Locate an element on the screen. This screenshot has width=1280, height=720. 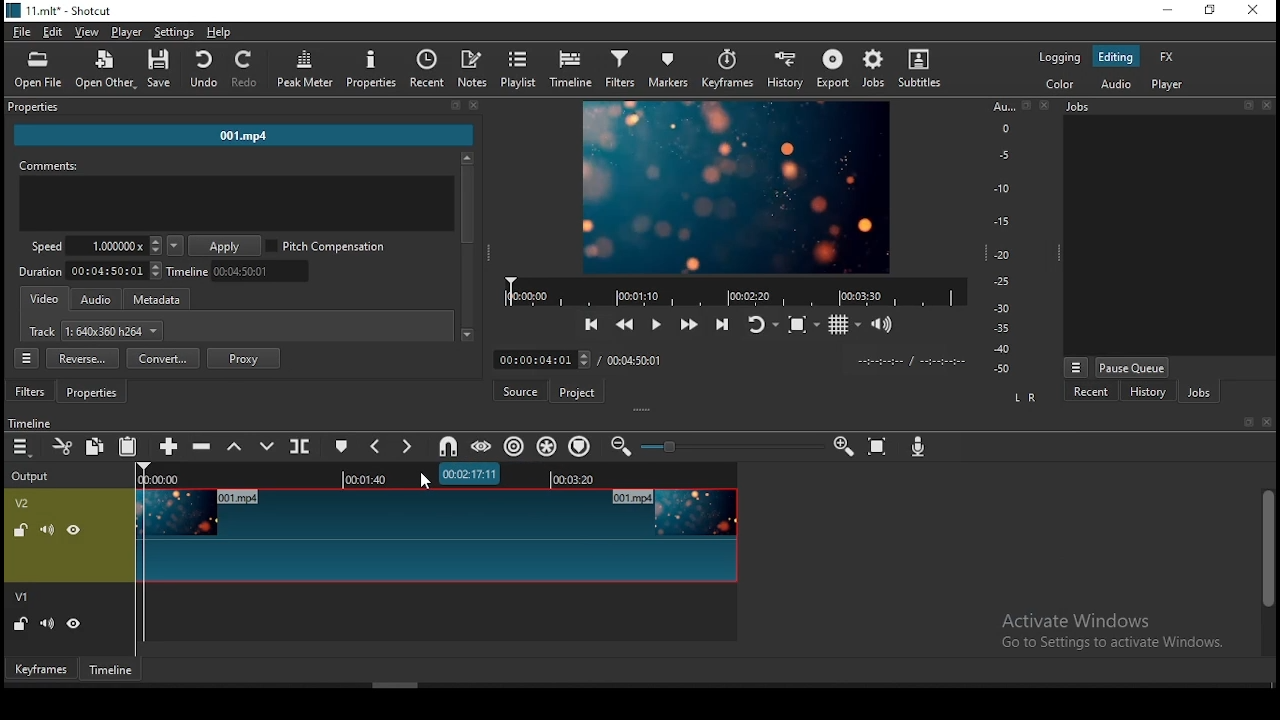
play quickly forwards is located at coordinates (691, 325).